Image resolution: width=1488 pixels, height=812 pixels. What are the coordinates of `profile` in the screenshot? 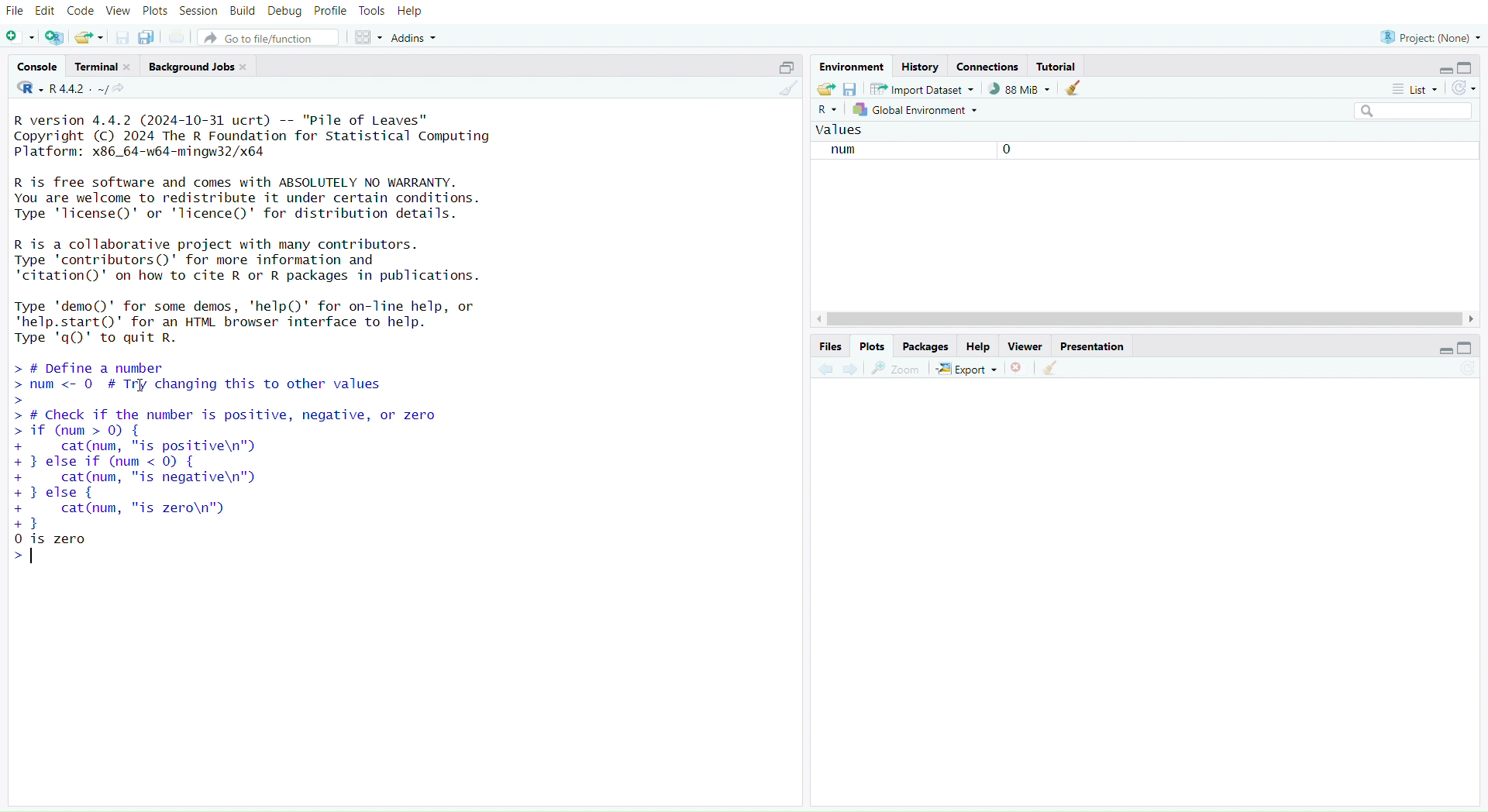 It's located at (332, 12).